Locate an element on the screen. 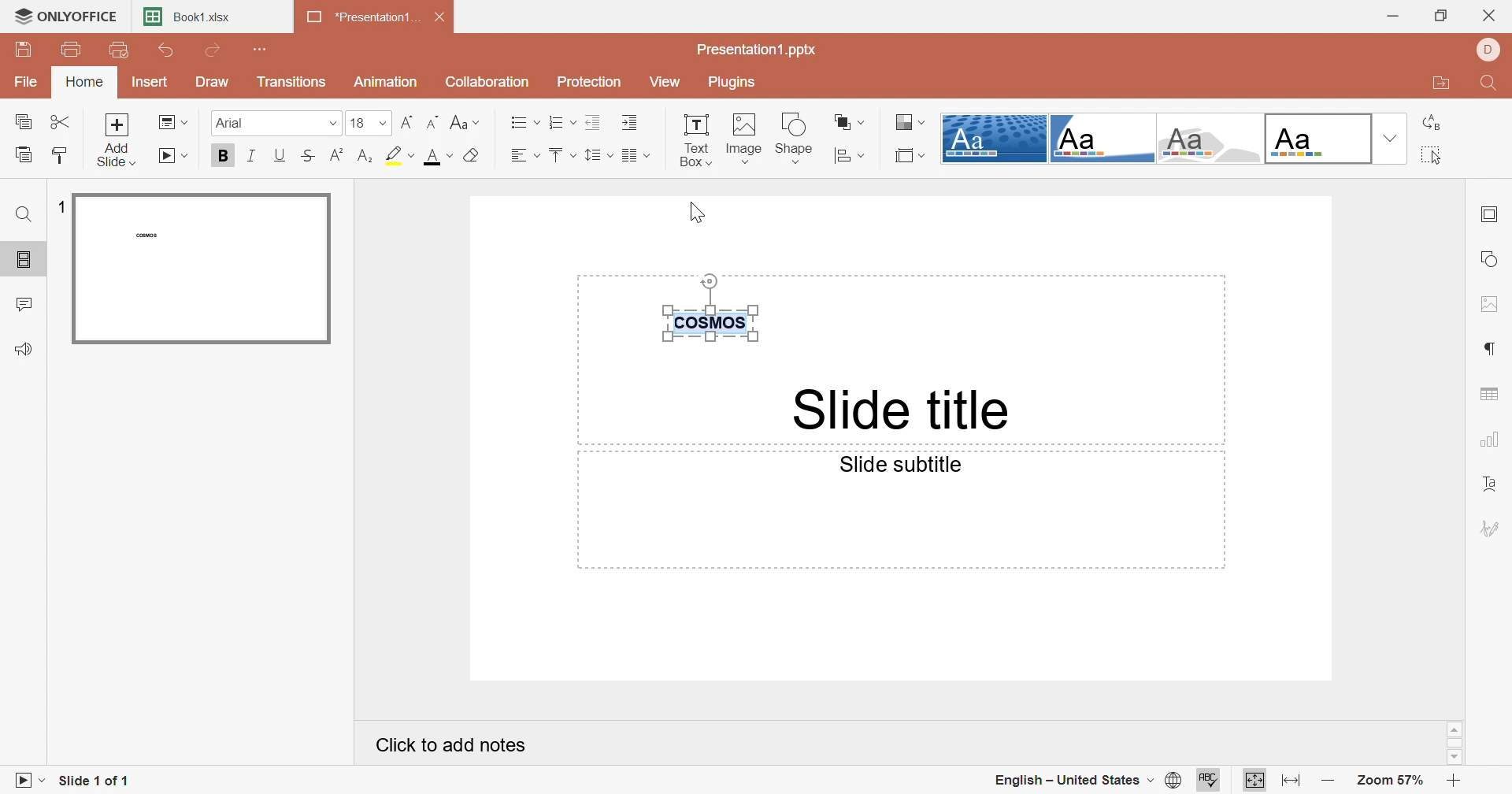 This screenshot has height=794, width=1512. Paragraph settings is located at coordinates (1493, 351).